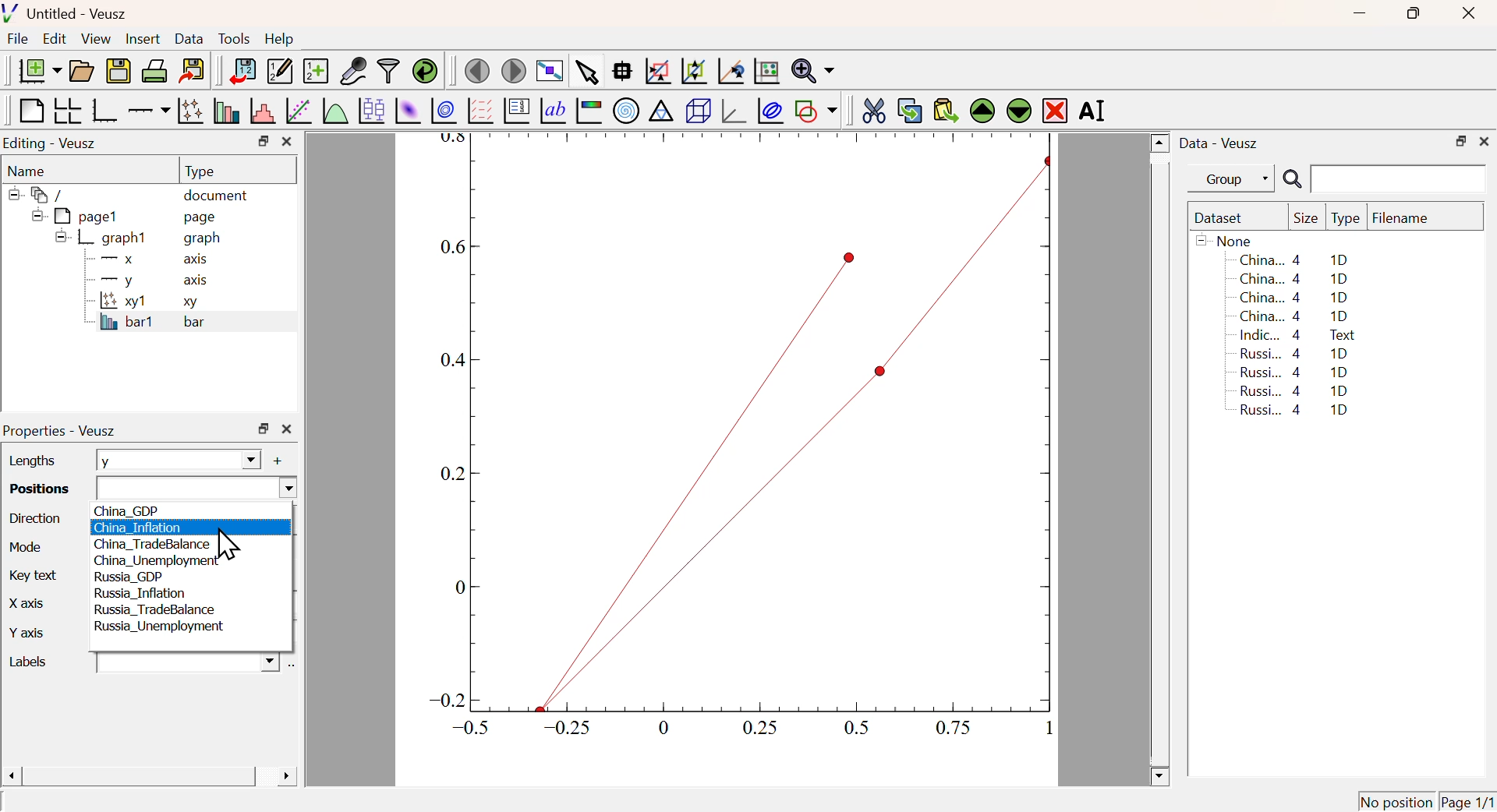 Image resolution: width=1497 pixels, height=812 pixels. What do you see at coordinates (1297, 278) in the screenshot?
I see `China... 4 1D` at bounding box center [1297, 278].